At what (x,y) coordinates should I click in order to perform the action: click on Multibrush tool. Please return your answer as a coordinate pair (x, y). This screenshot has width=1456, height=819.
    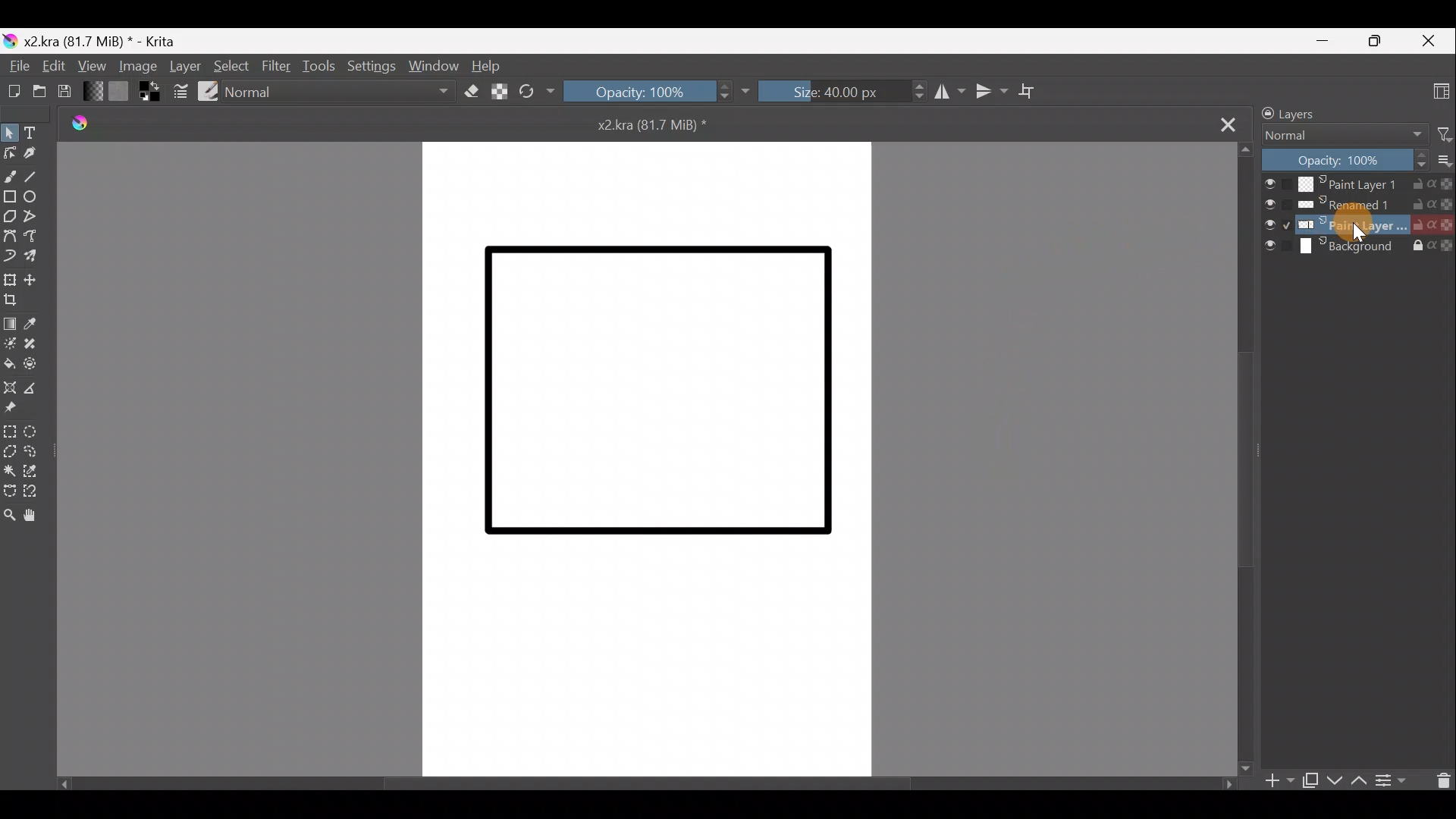
    Looking at the image, I should click on (38, 257).